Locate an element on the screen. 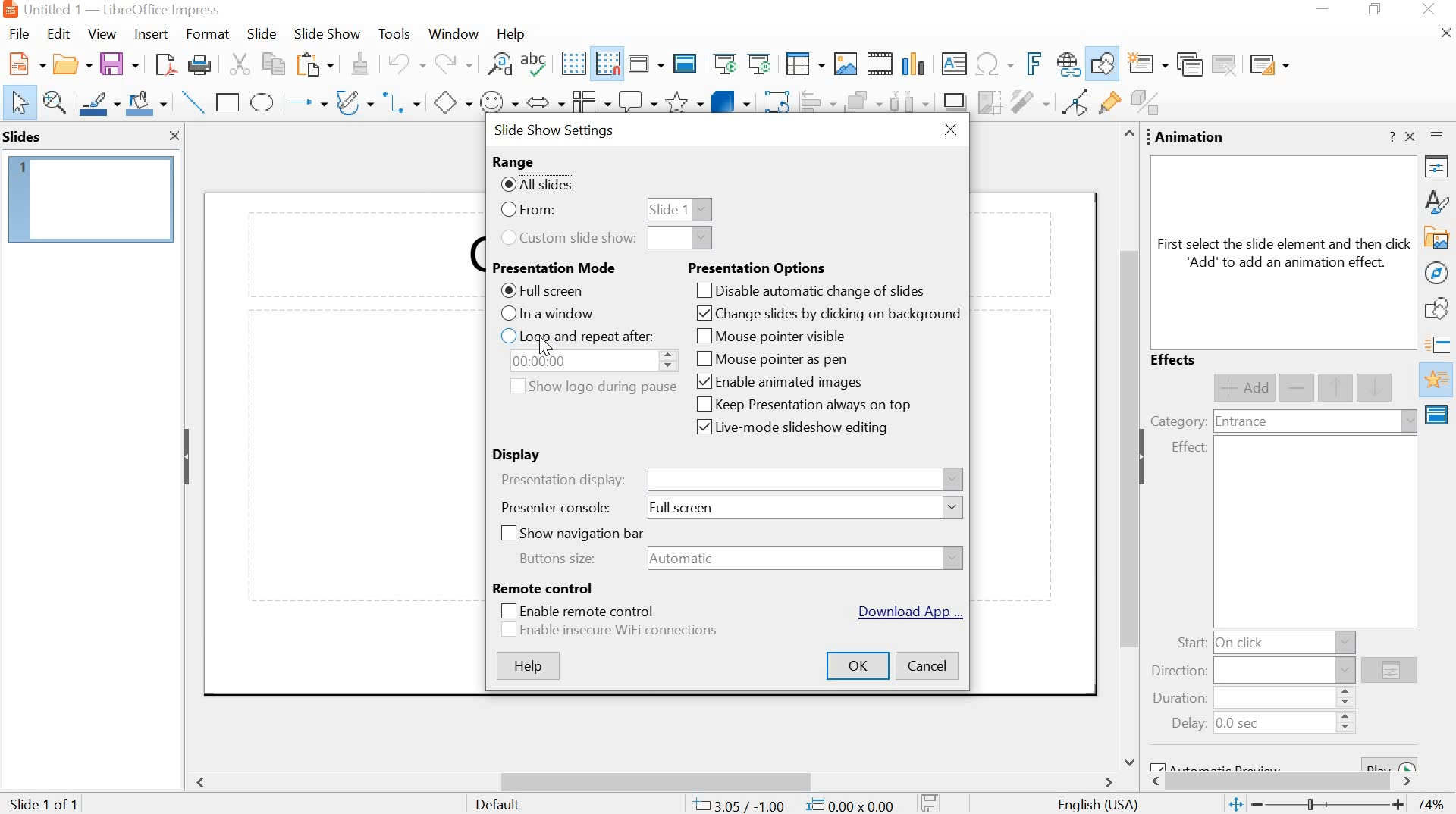 The height and width of the screenshot is (814, 1456). loop and repeat after is located at coordinates (576, 337).